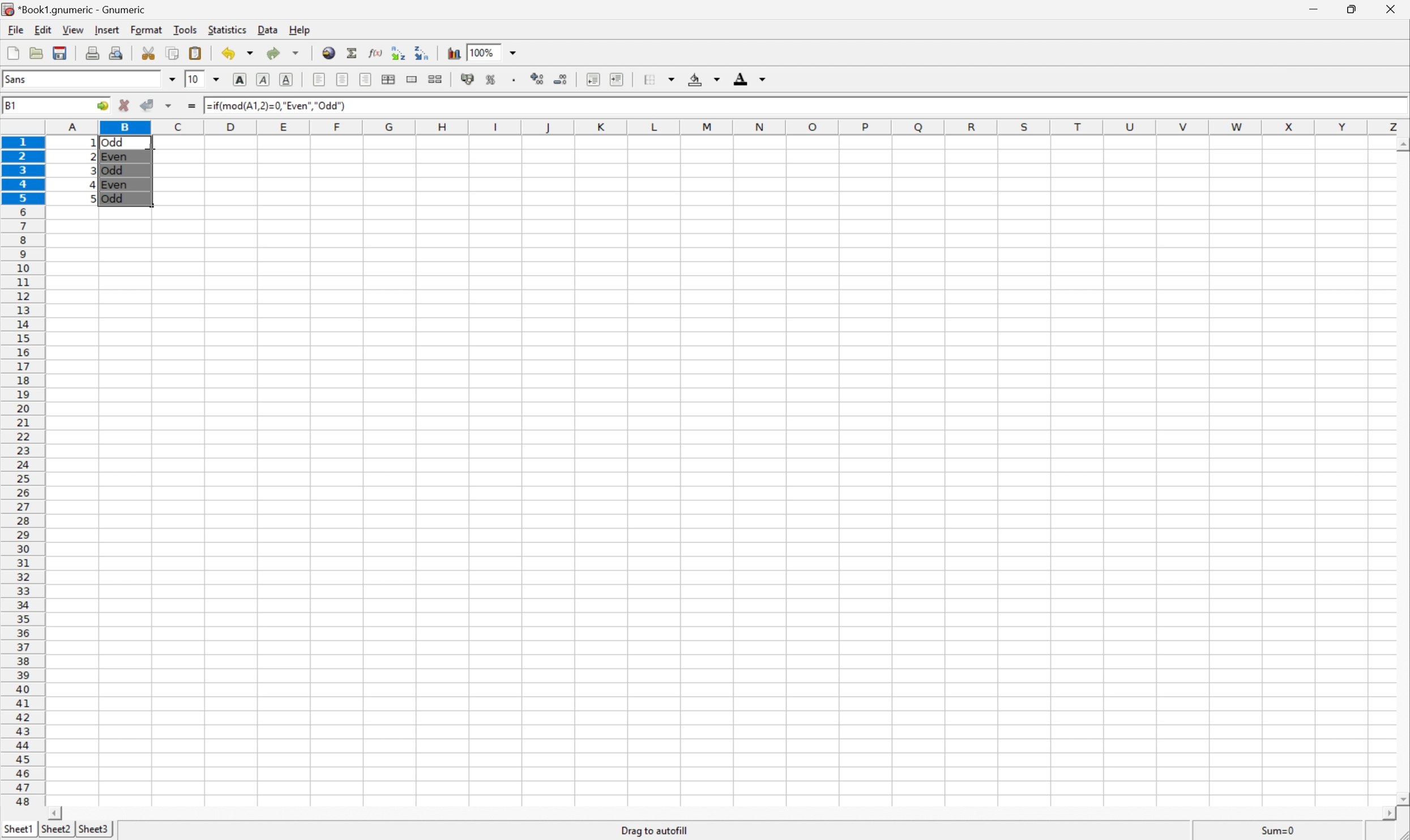  Describe the element at coordinates (1391, 8) in the screenshot. I see `Close` at that location.